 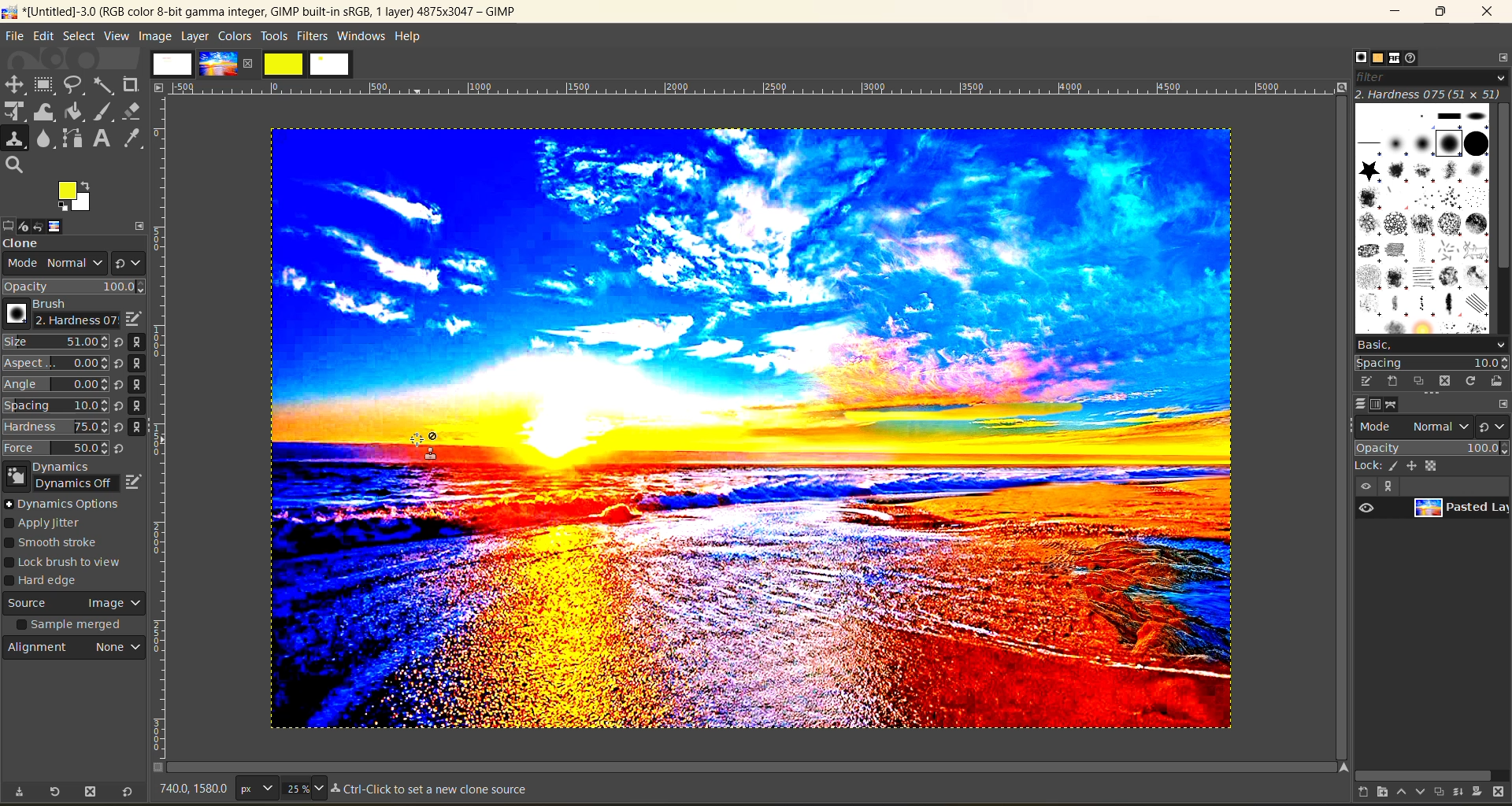 What do you see at coordinates (15, 165) in the screenshot?
I see `Search` at bounding box center [15, 165].